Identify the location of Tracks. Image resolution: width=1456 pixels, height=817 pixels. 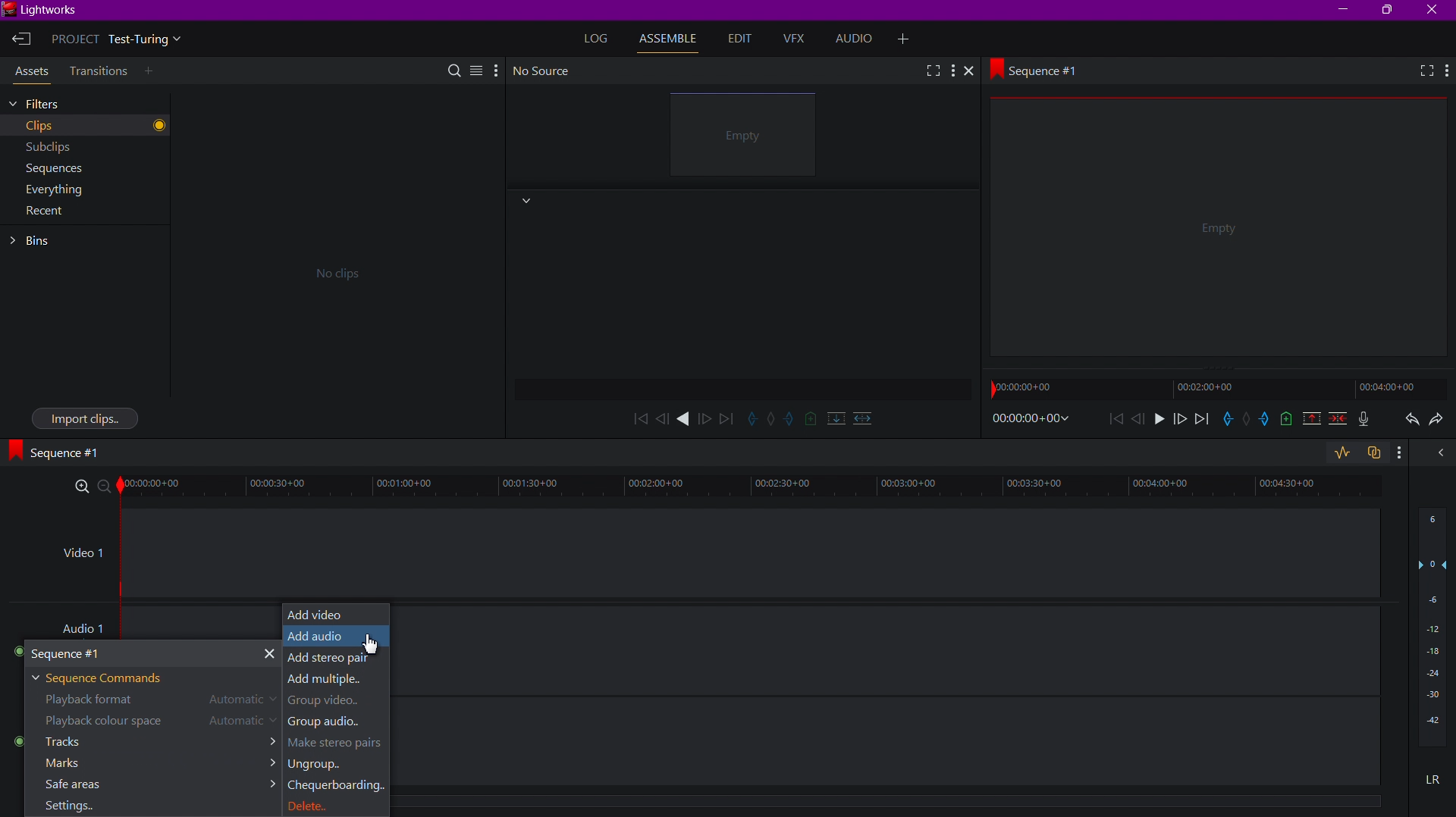
(152, 743).